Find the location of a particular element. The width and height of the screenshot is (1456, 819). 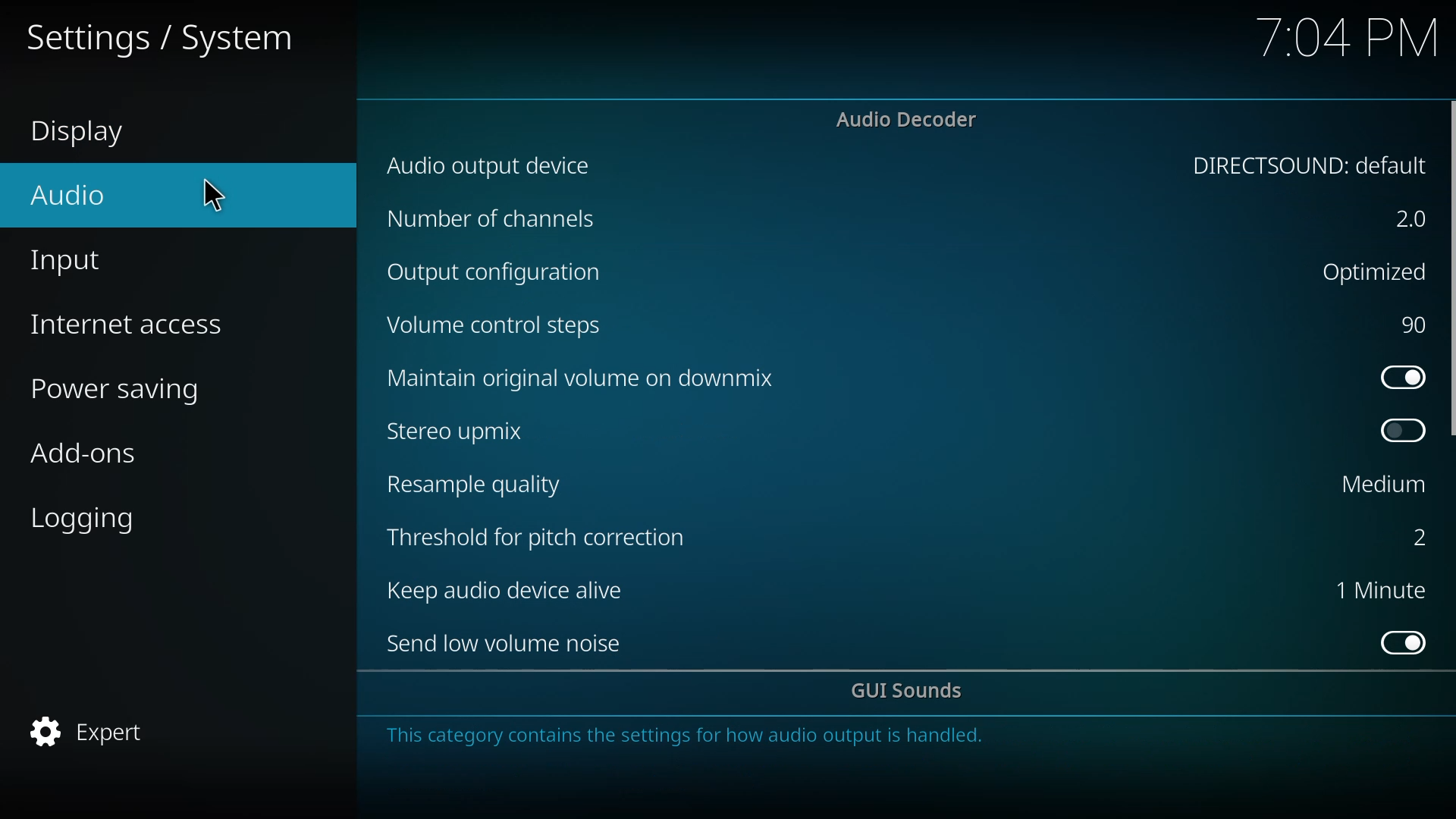

default is located at coordinates (1311, 168).